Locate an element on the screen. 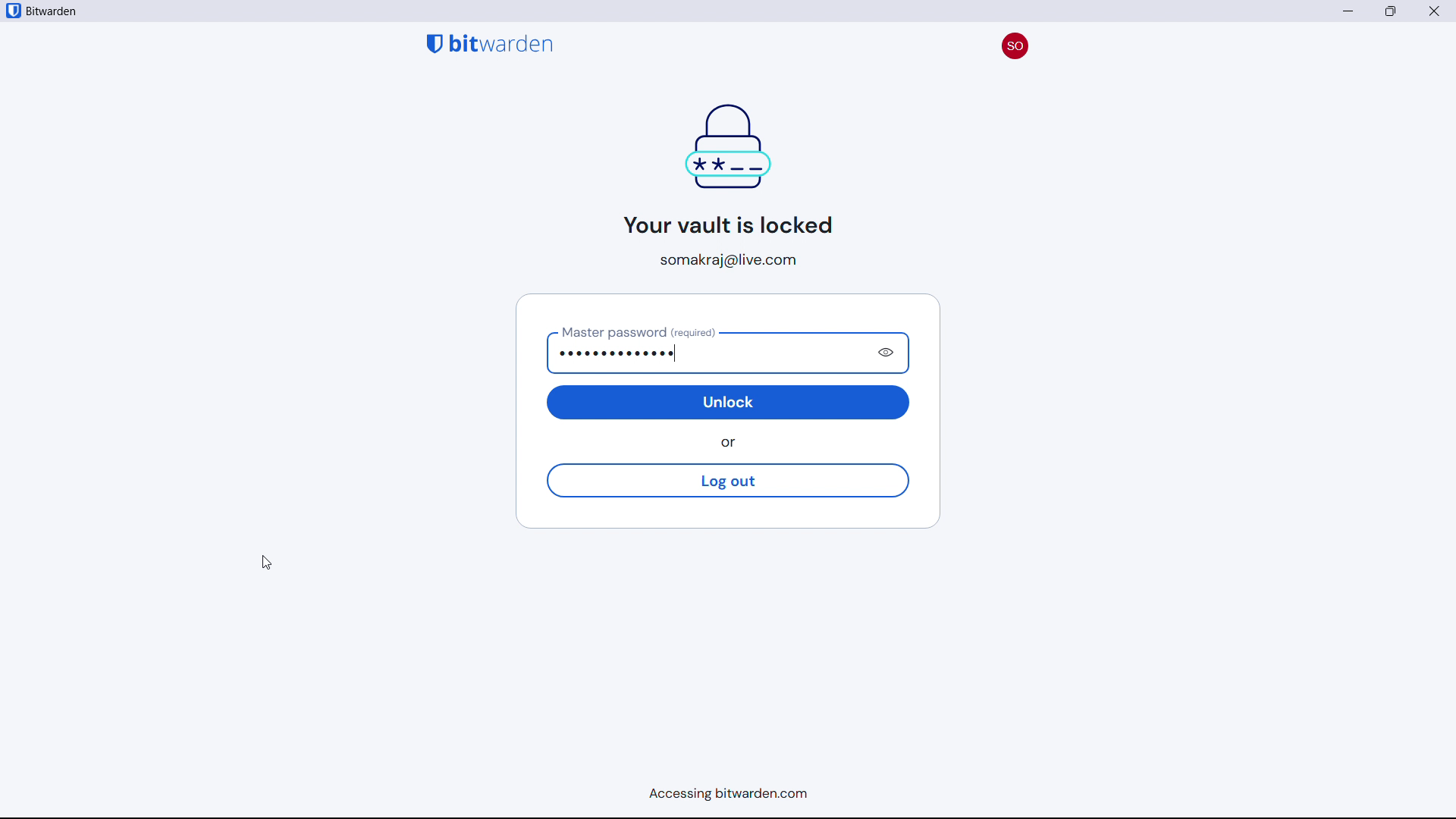 The width and height of the screenshot is (1456, 819). vault is locked is located at coordinates (721, 168).